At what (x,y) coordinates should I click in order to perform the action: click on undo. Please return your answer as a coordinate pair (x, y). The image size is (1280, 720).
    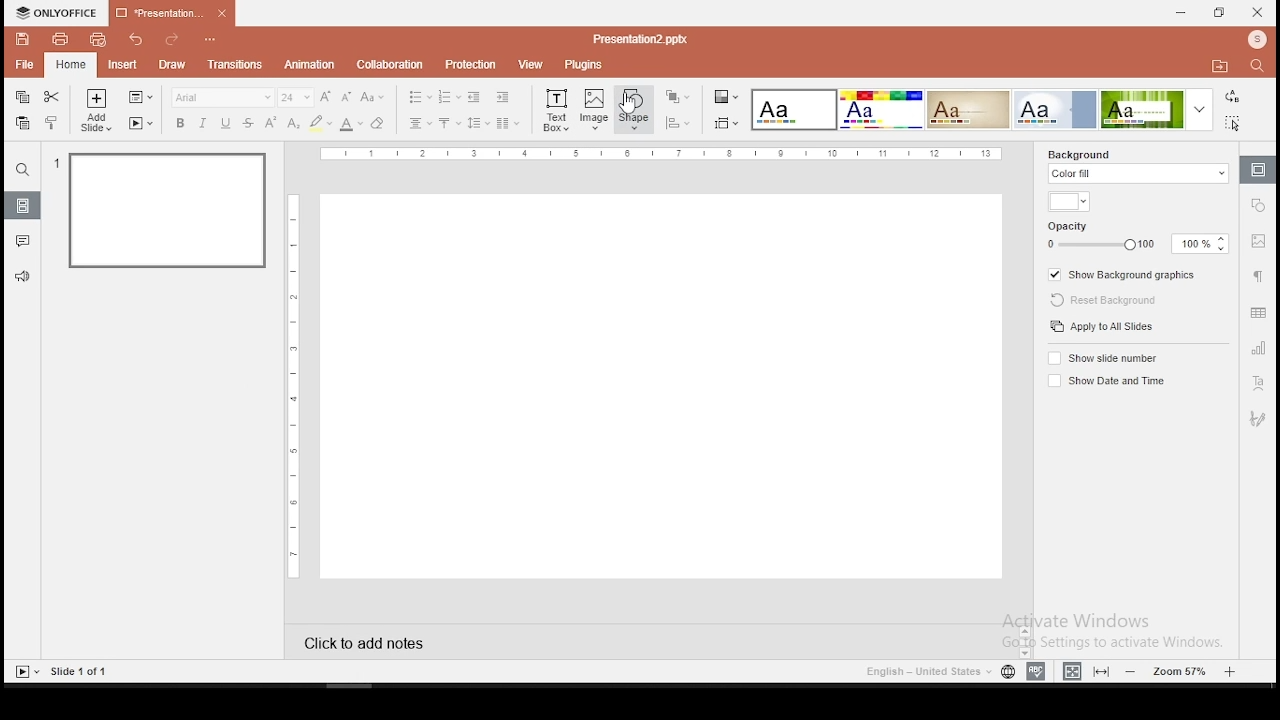
    Looking at the image, I should click on (138, 39).